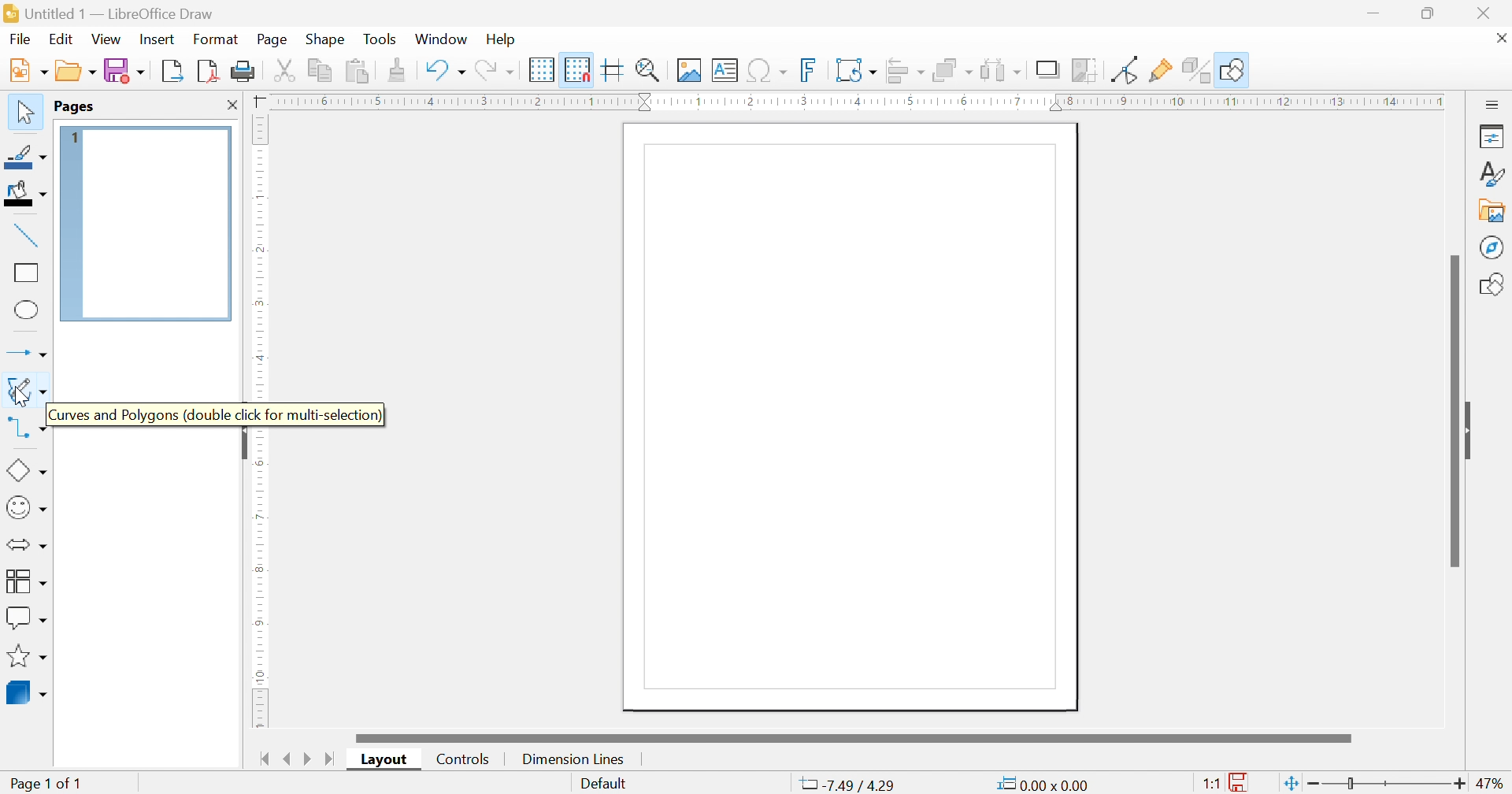 This screenshot has height=794, width=1512. Describe the element at coordinates (1473, 429) in the screenshot. I see `slide` at that location.